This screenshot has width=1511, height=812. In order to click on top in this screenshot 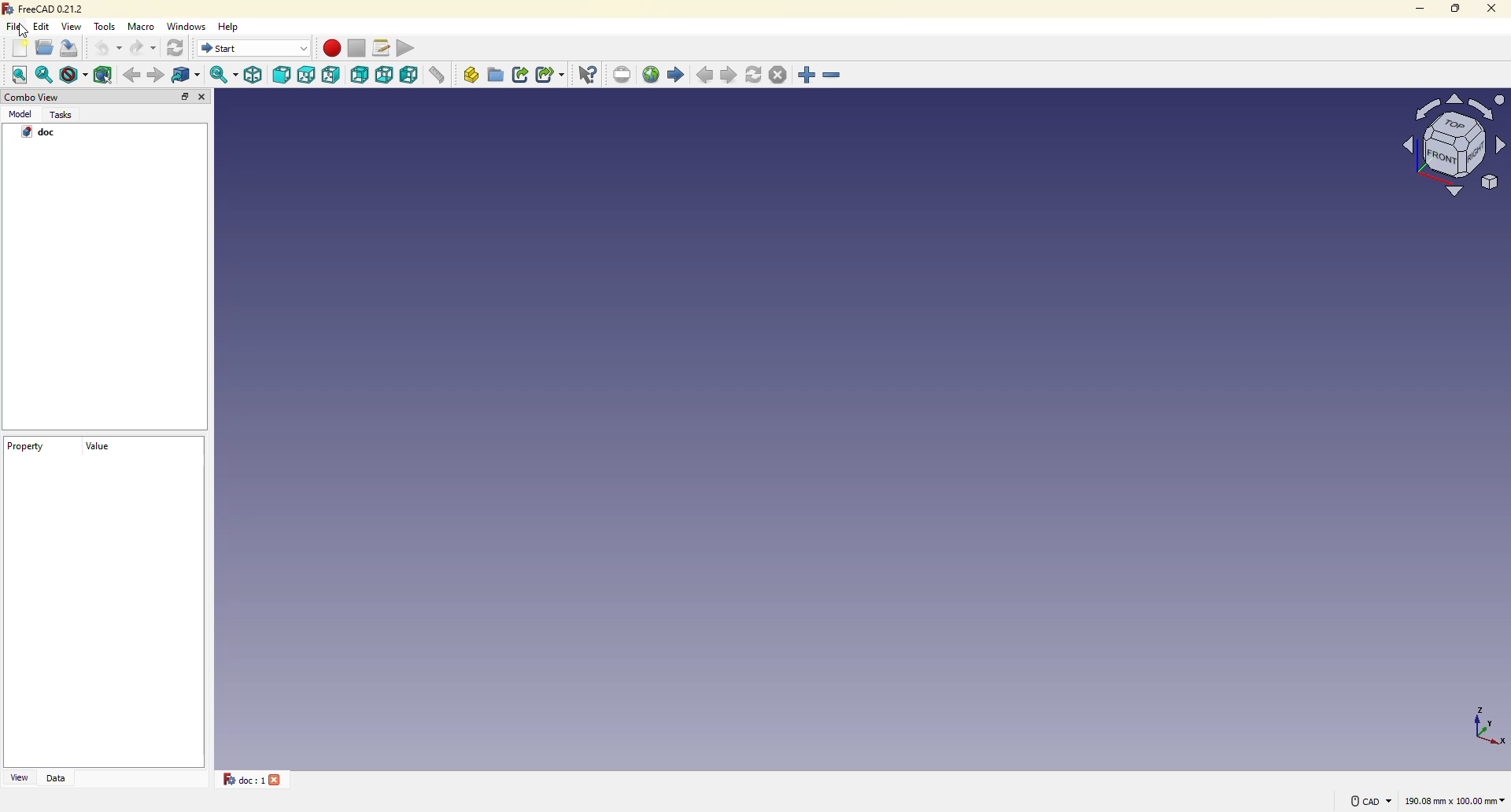, I will do `click(307, 76)`.